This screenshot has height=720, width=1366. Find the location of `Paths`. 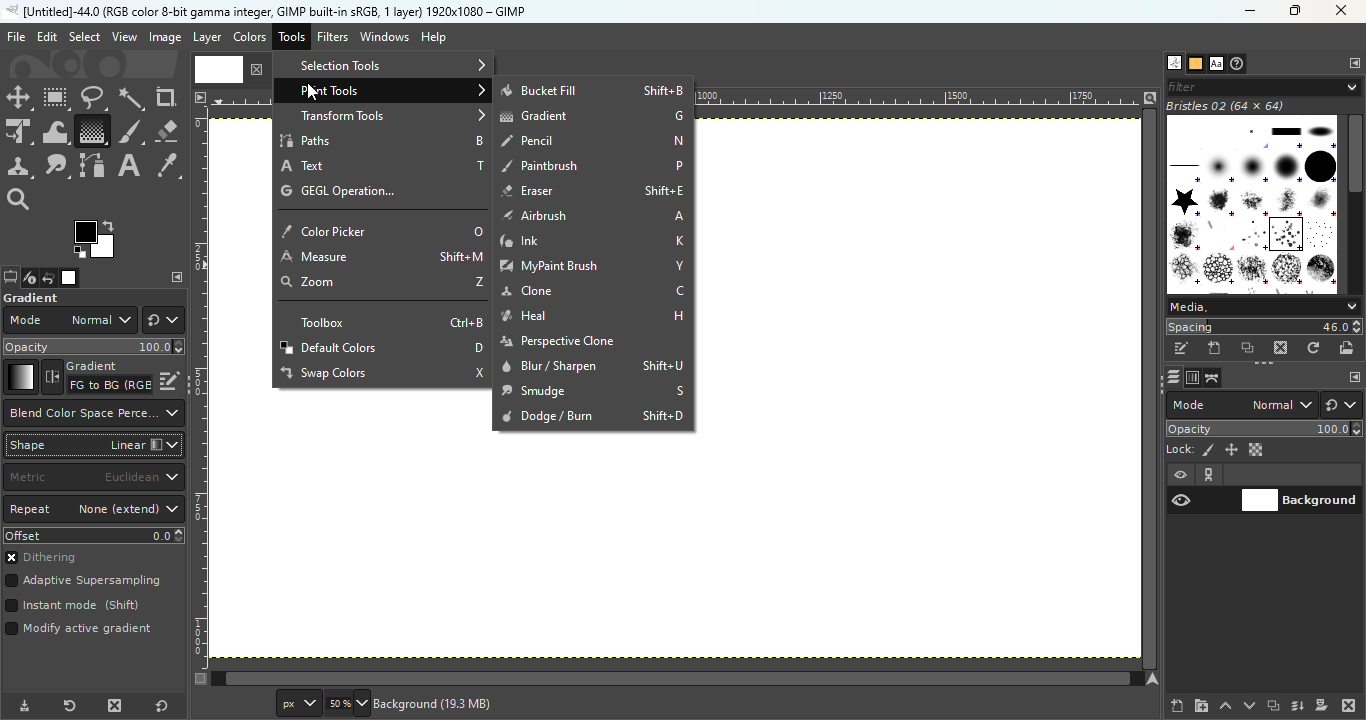

Paths is located at coordinates (380, 139).